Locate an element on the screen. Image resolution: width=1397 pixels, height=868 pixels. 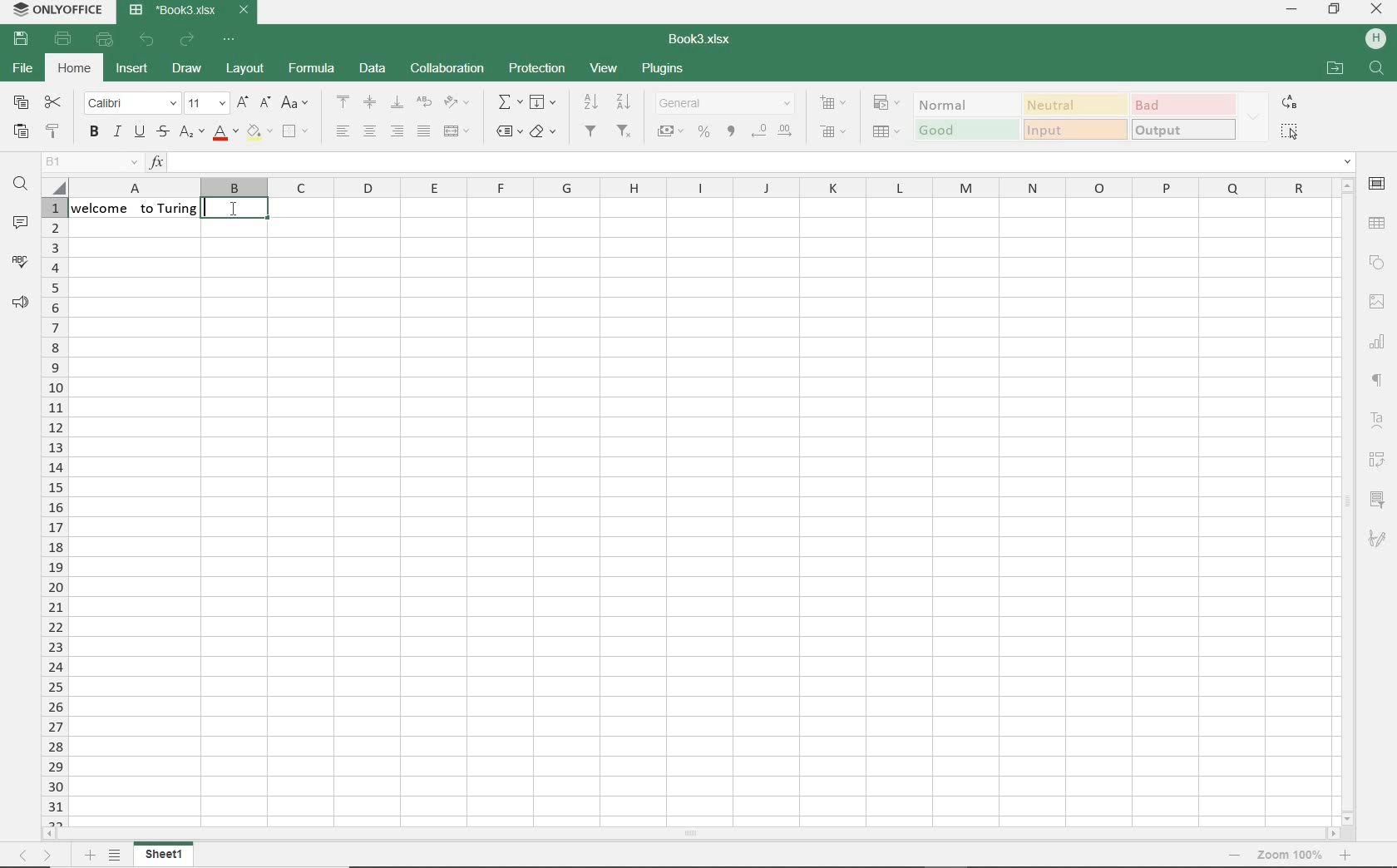
align top is located at coordinates (343, 101).